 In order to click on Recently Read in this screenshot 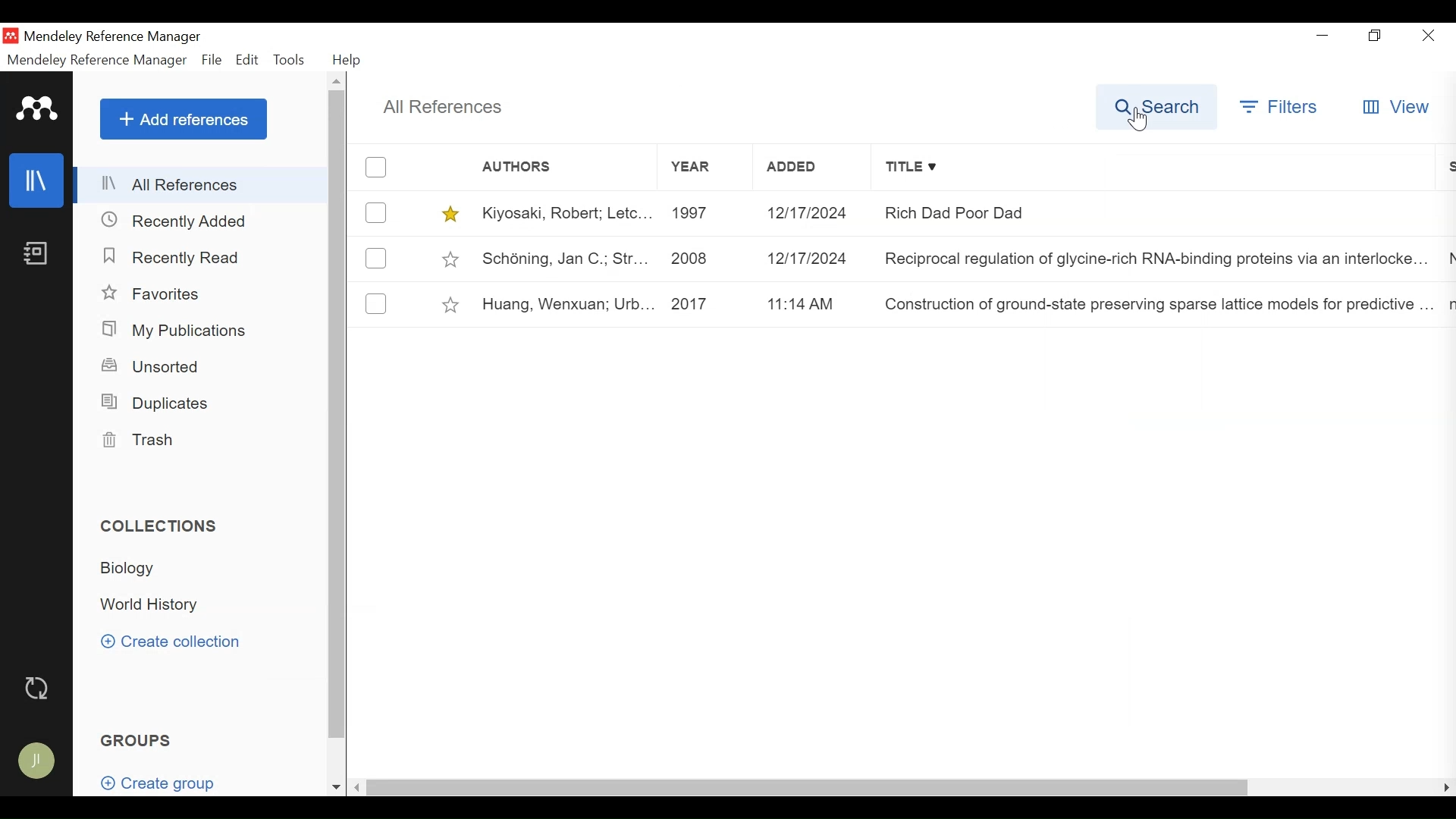, I will do `click(174, 257)`.